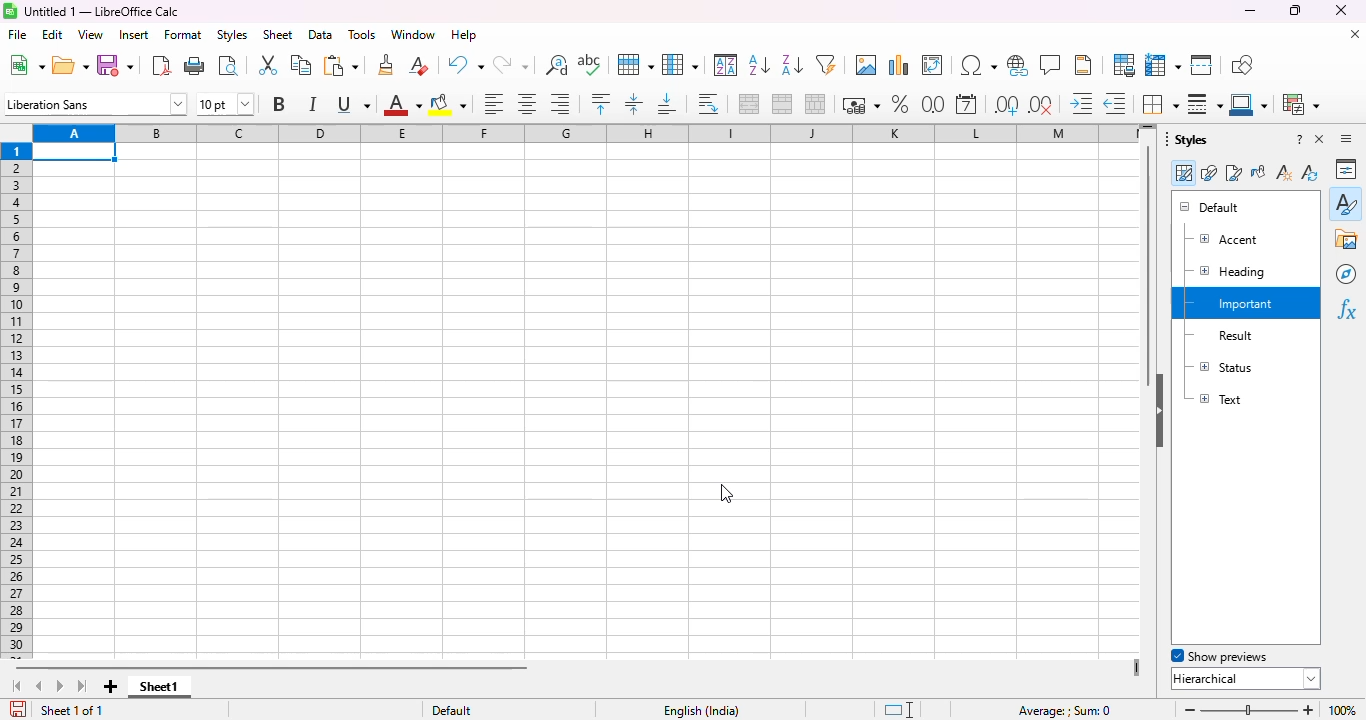 Image resolution: width=1366 pixels, height=720 pixels. Describe the element at coordinates (1083, 65) in the screenshot. I see `headers and footers` at that location.